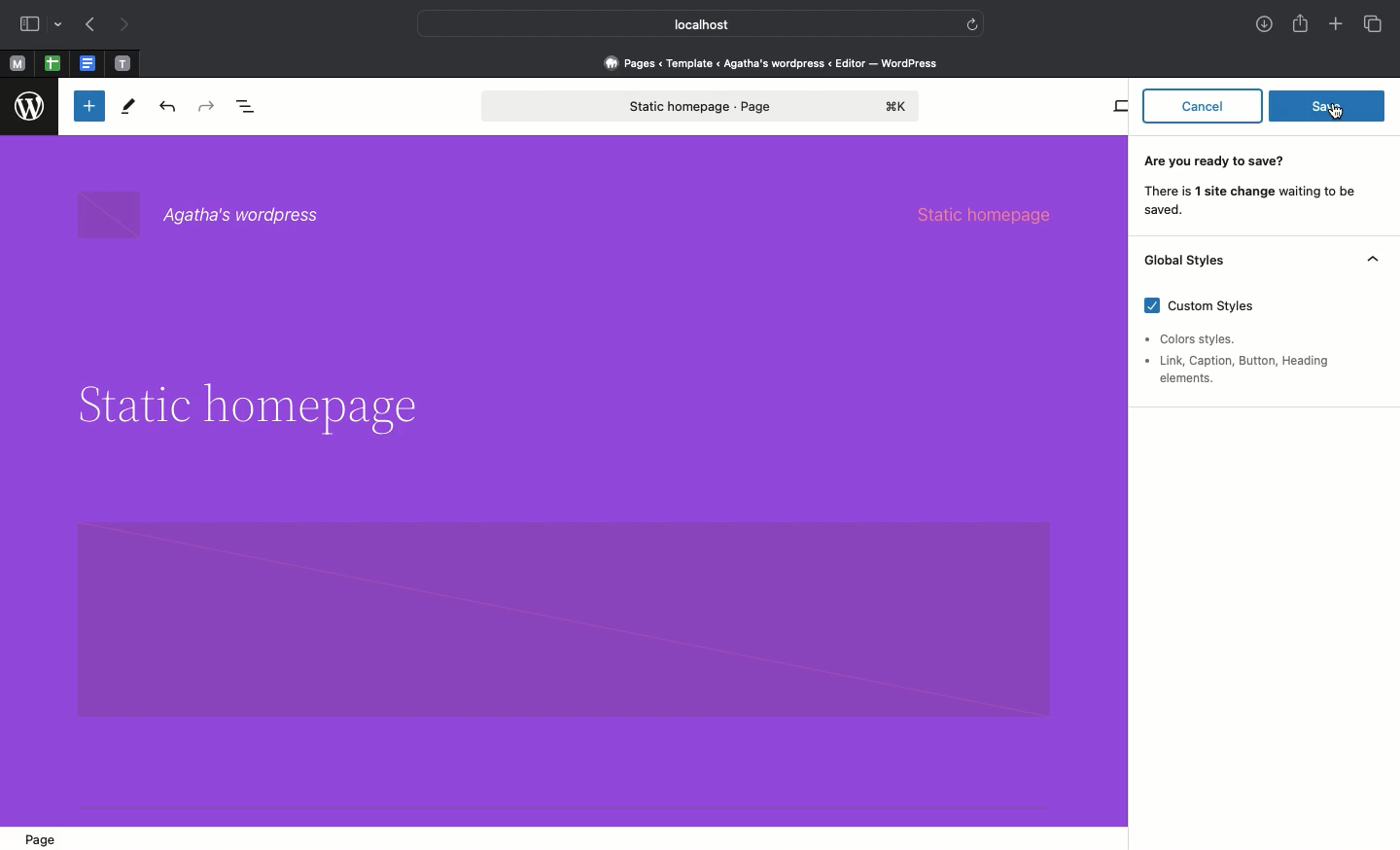 Image resolution: width=1400 pixels, height=850 pixels. I want to click on Next page, so click(124, 25).